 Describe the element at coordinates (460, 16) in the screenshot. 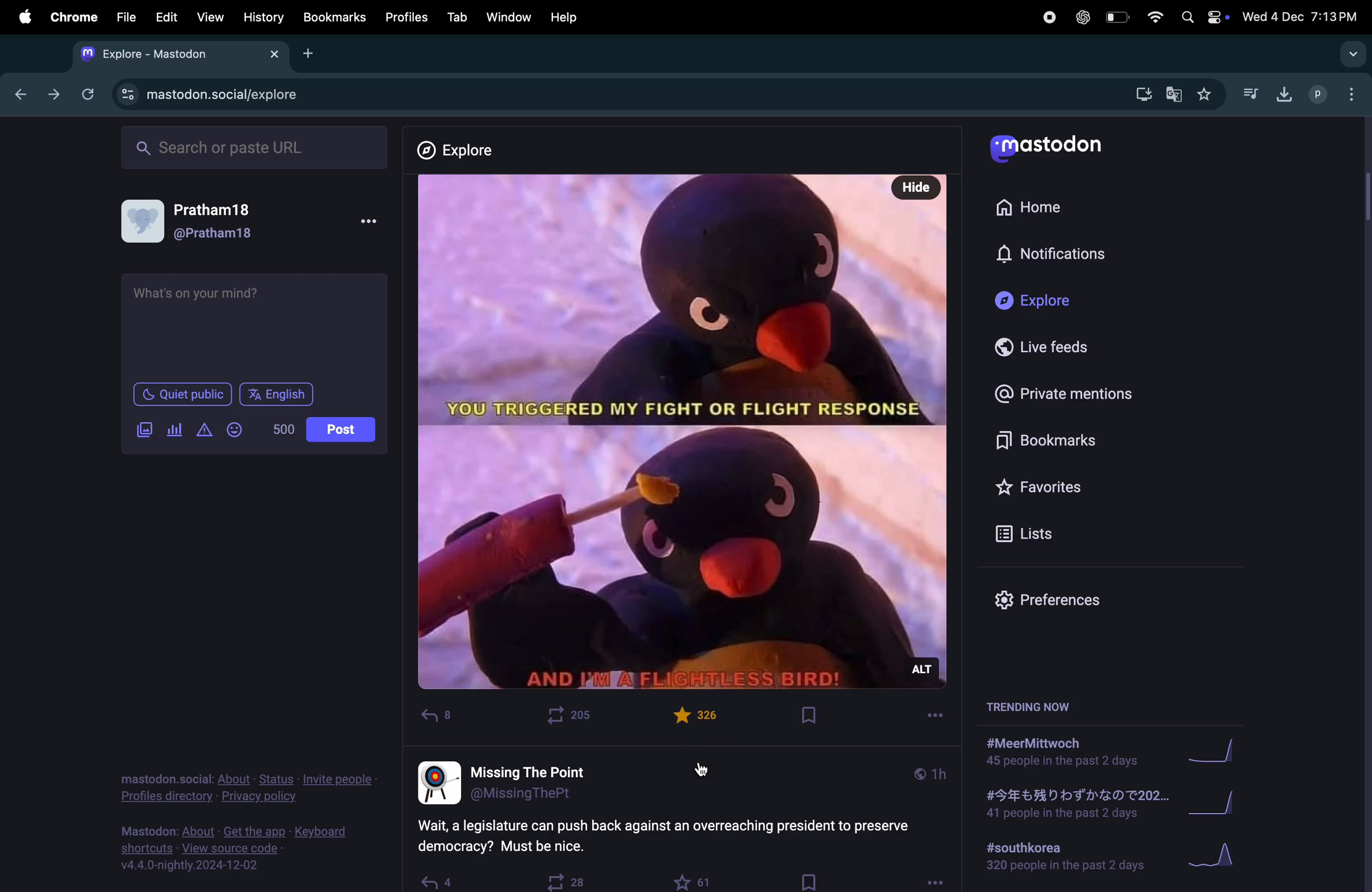

I see `tab` at that location.